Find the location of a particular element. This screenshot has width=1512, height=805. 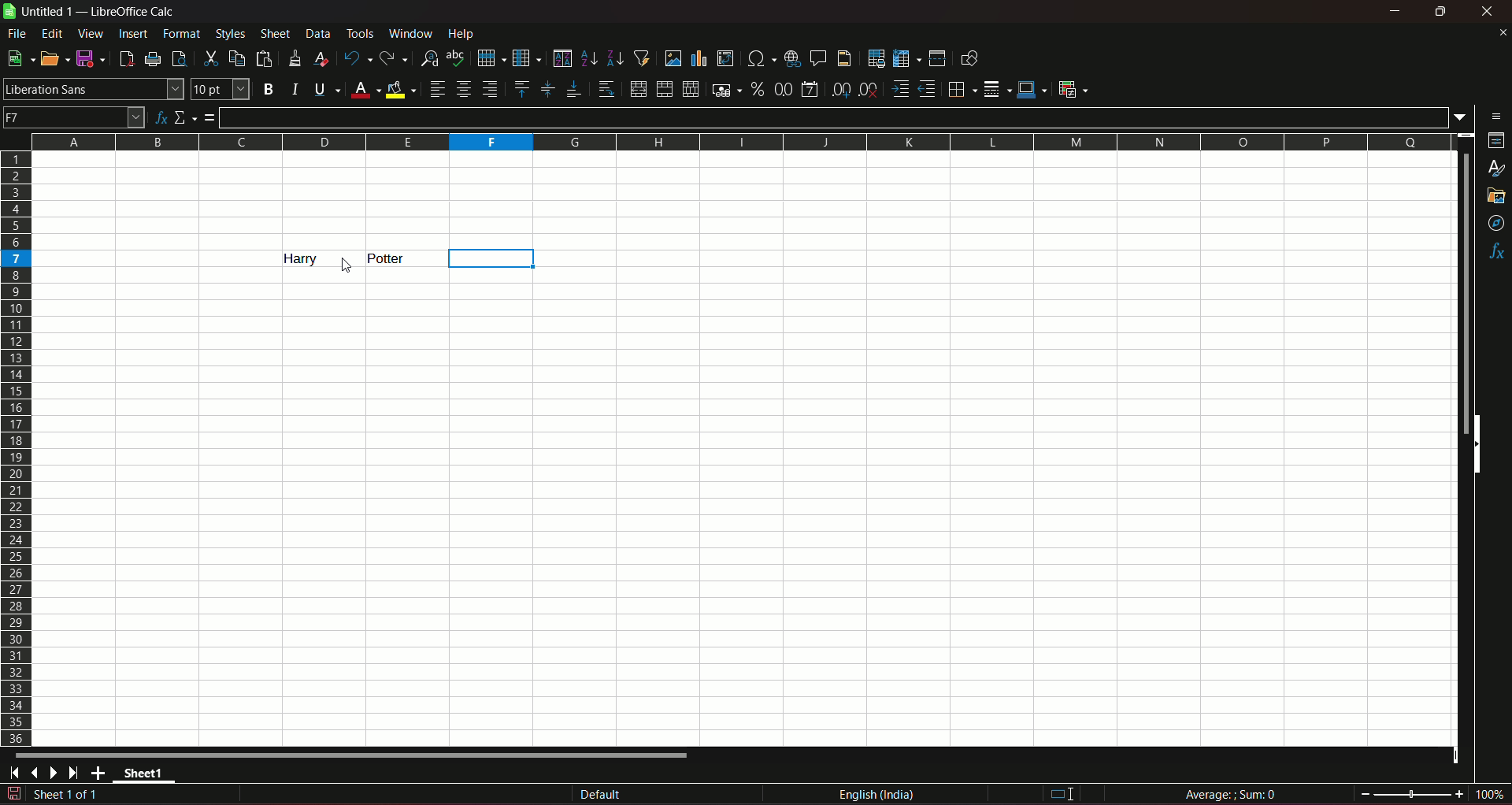

scroll to next is located at coordinates (57, 773).